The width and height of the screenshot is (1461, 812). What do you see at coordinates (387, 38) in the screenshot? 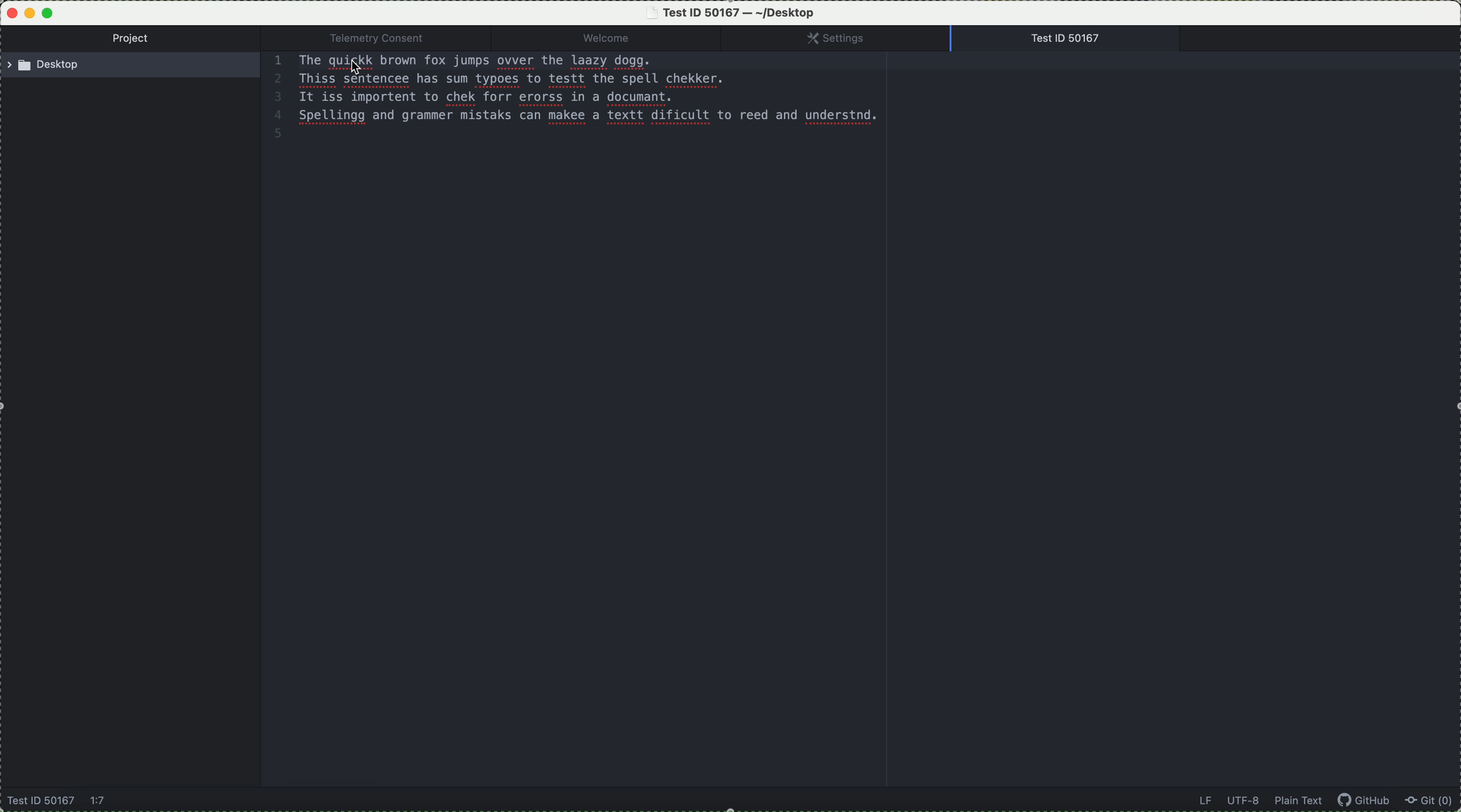
I see `Telemetry consent` at bounding box center [387, 38].